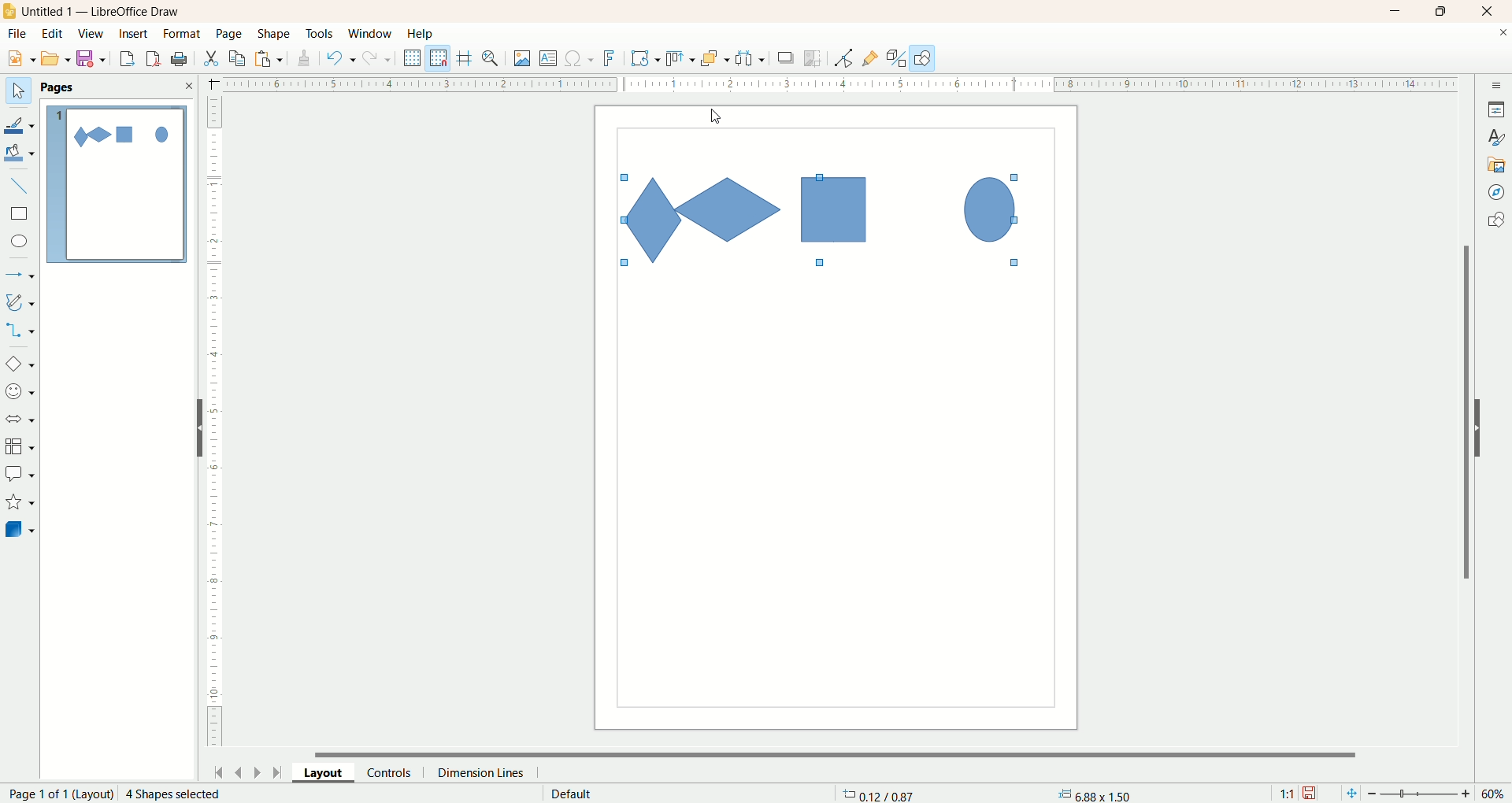 This screenshot has height=803, width=1512. Describe the element at coordinates (172, 794) in the screenshot. I see `4 Shape selected` at that location.